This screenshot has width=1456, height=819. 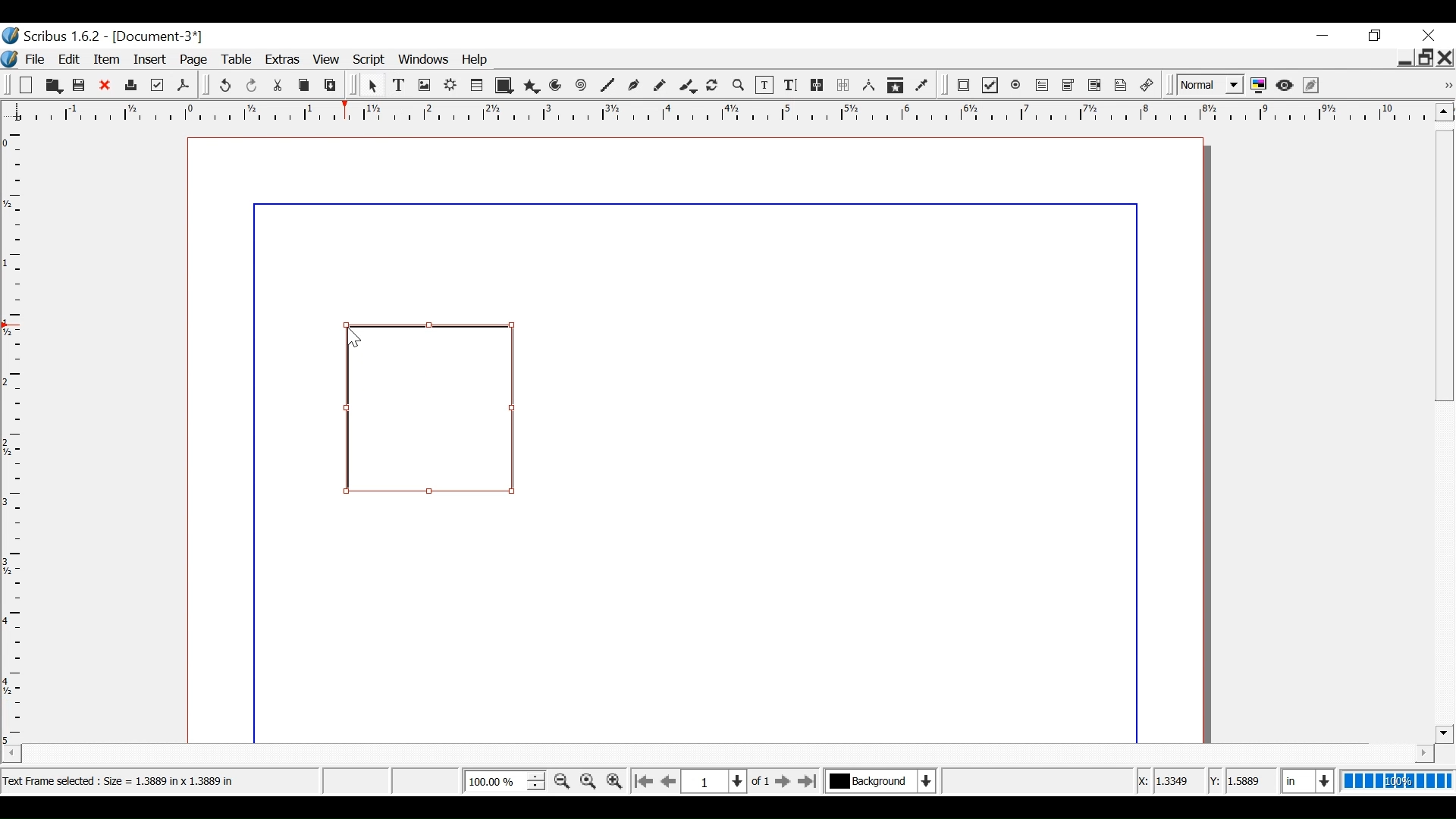 I want to click on Preview mode, so click(x=1286, y=85).